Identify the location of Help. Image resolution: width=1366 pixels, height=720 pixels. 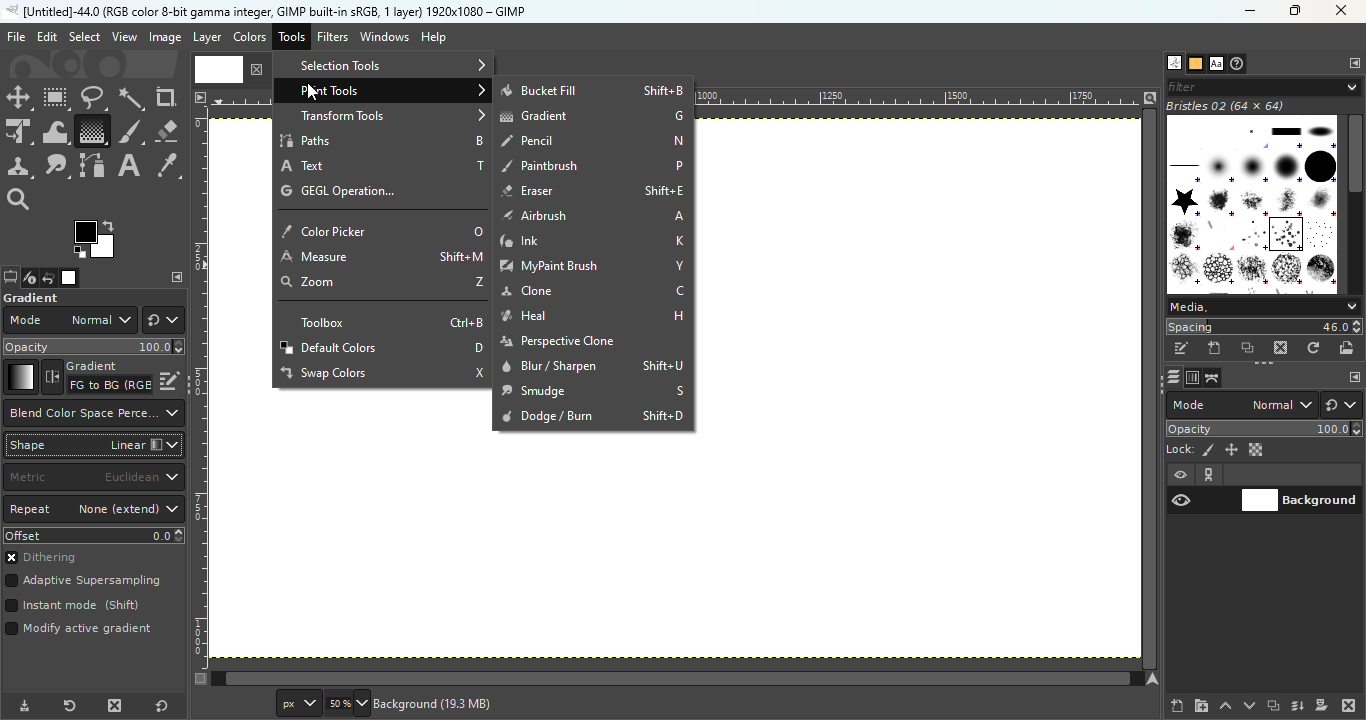
(436, 37).